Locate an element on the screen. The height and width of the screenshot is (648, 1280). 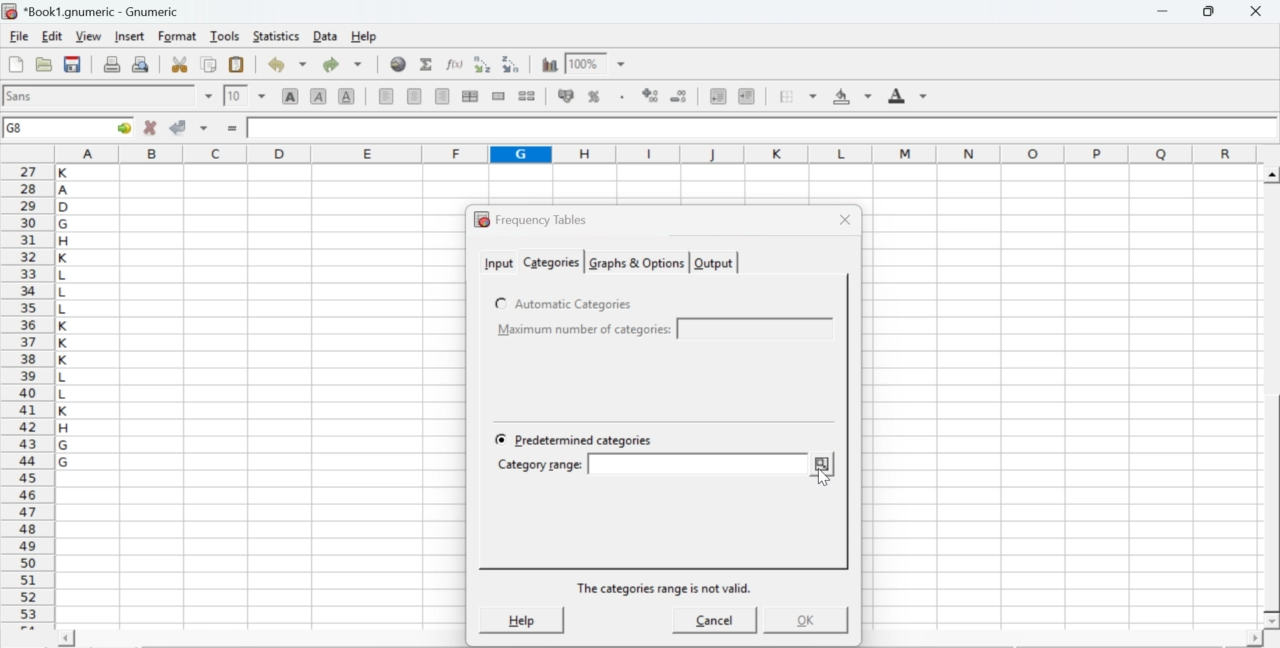
insert chart is located at coordinates (550, 63).